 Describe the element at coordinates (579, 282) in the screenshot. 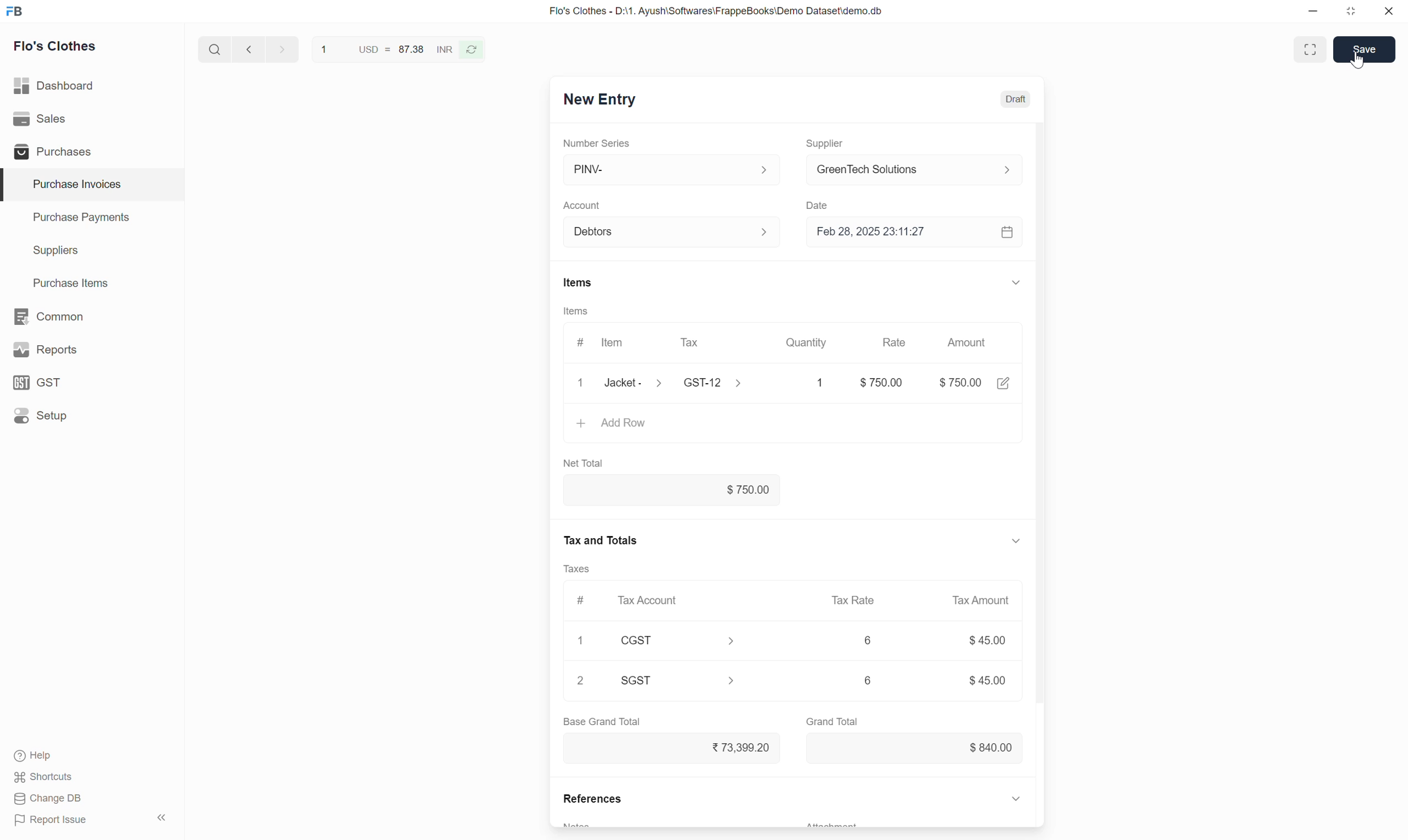

I see `Items` at that location.